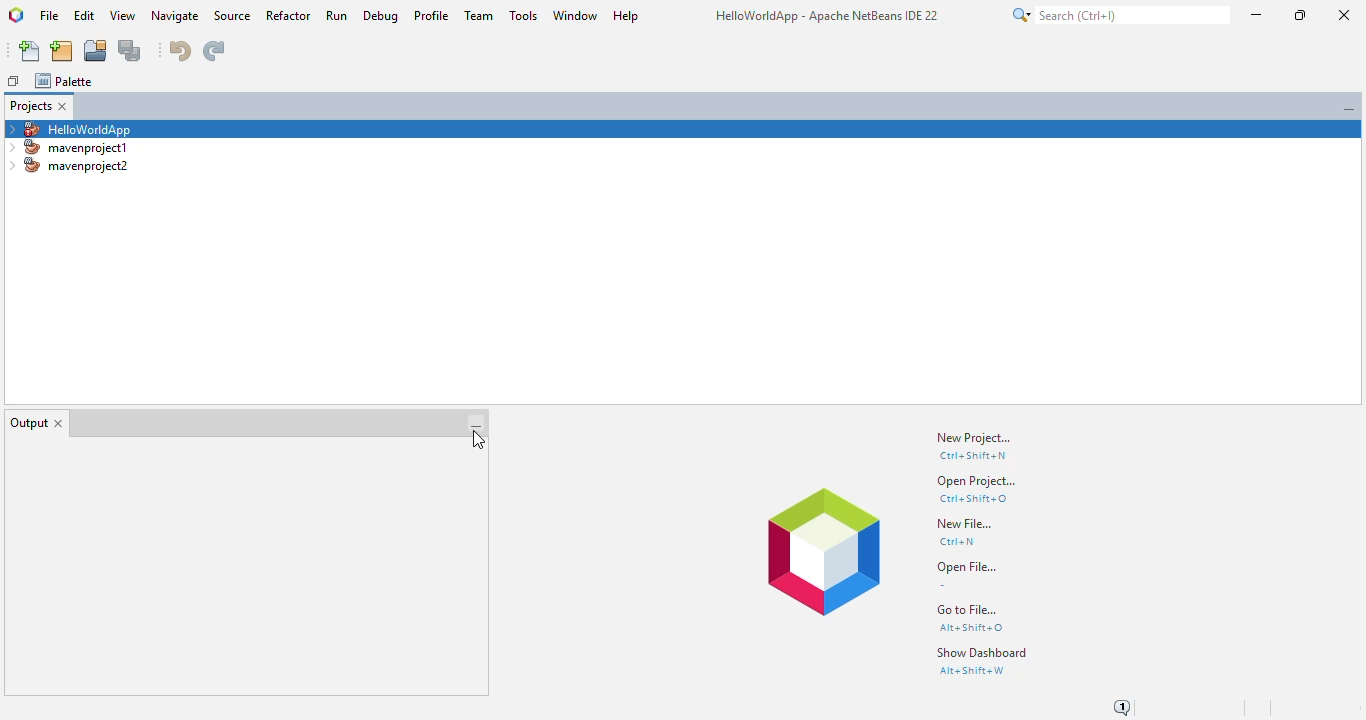  I want to click on tools, so click(524, 15).